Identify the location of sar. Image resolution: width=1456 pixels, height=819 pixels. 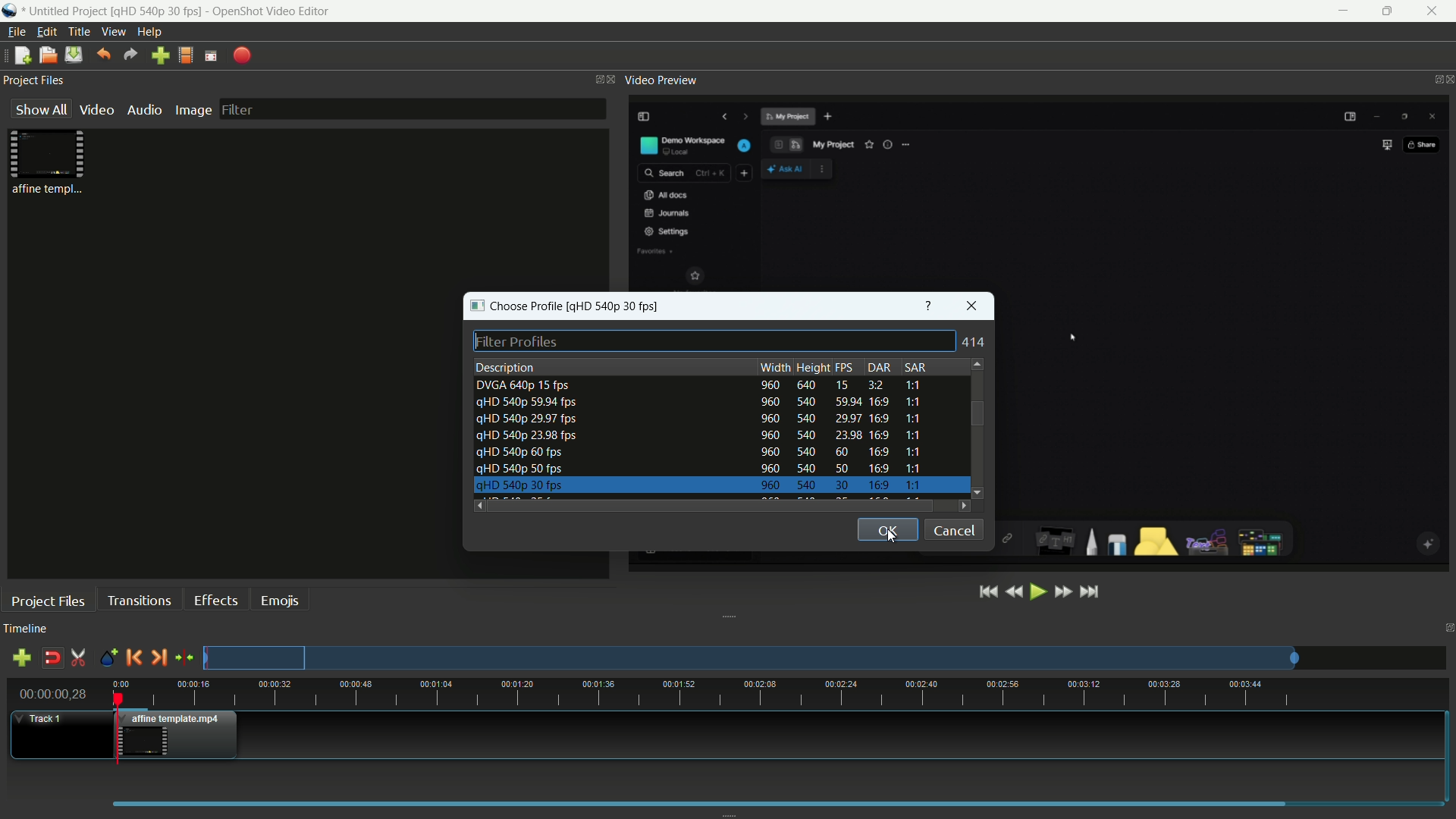
(914, 367).